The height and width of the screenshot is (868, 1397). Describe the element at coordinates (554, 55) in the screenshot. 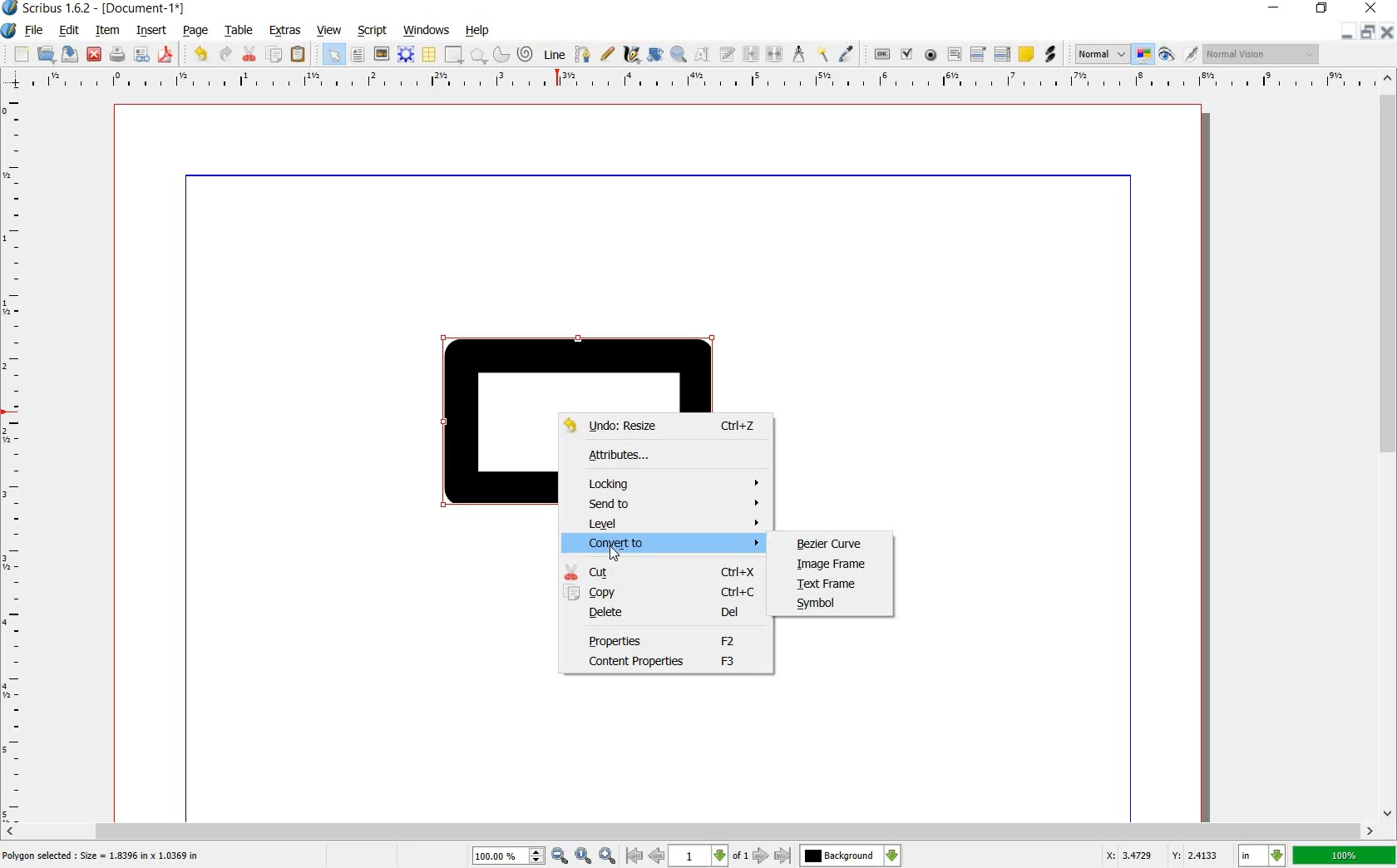

I see `line` at that location.